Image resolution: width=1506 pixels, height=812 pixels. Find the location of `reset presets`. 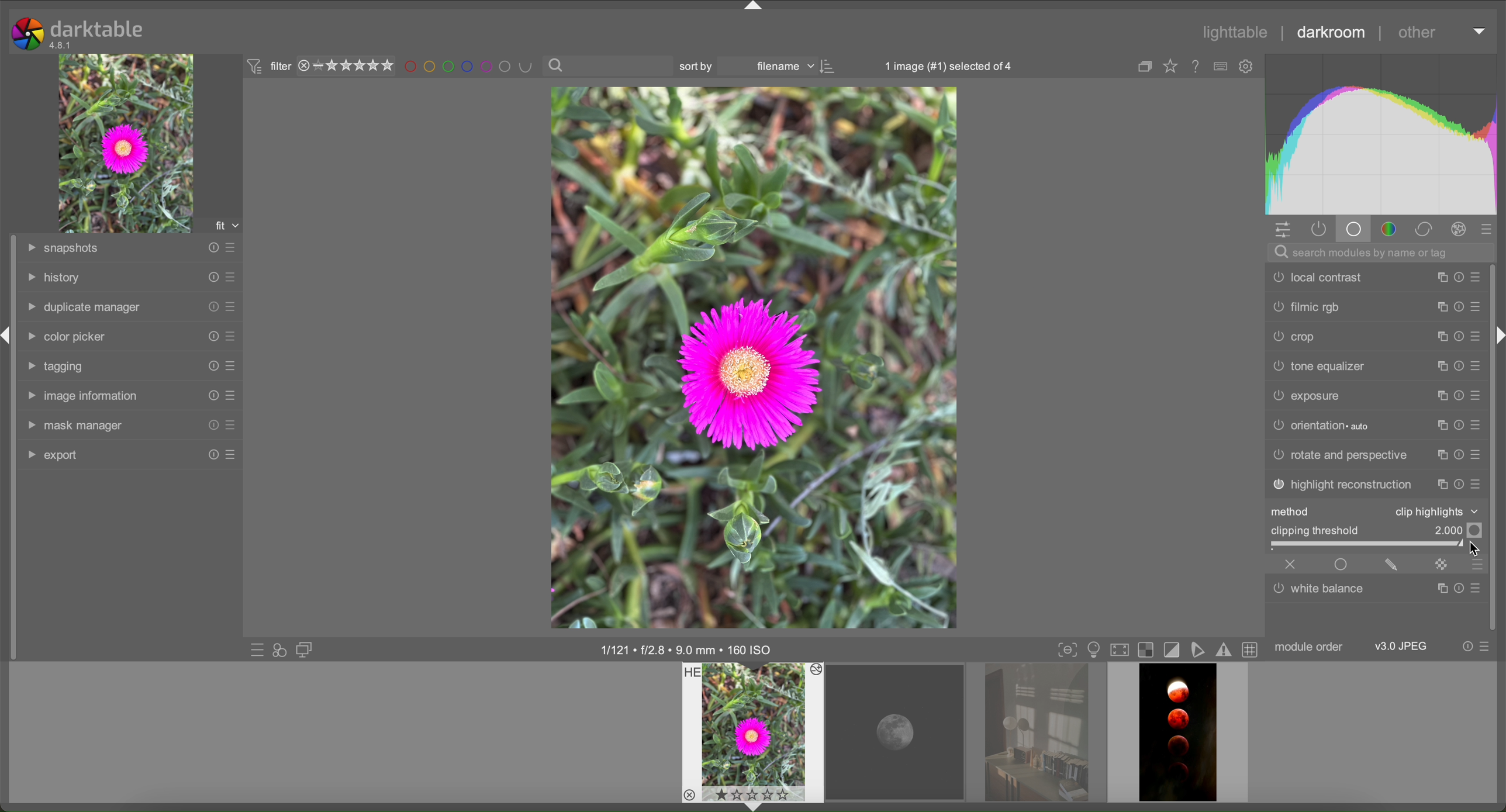

reset presets is located at coordinates (1456, 588).